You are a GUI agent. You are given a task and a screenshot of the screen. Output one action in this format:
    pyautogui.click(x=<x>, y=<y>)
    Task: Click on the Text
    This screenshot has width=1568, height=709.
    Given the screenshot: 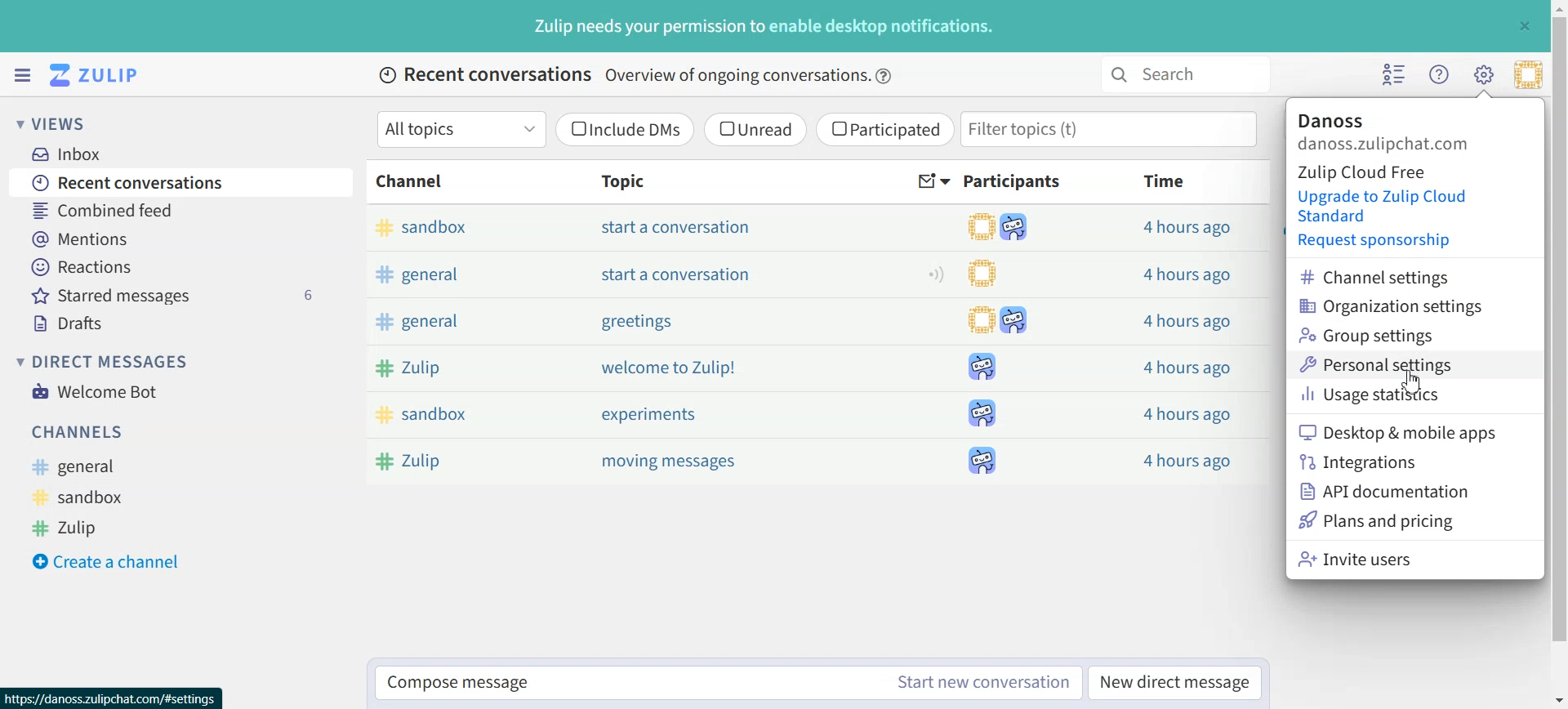 What is the action you would take?
    pyautogui.click(x=765, y=26)
    